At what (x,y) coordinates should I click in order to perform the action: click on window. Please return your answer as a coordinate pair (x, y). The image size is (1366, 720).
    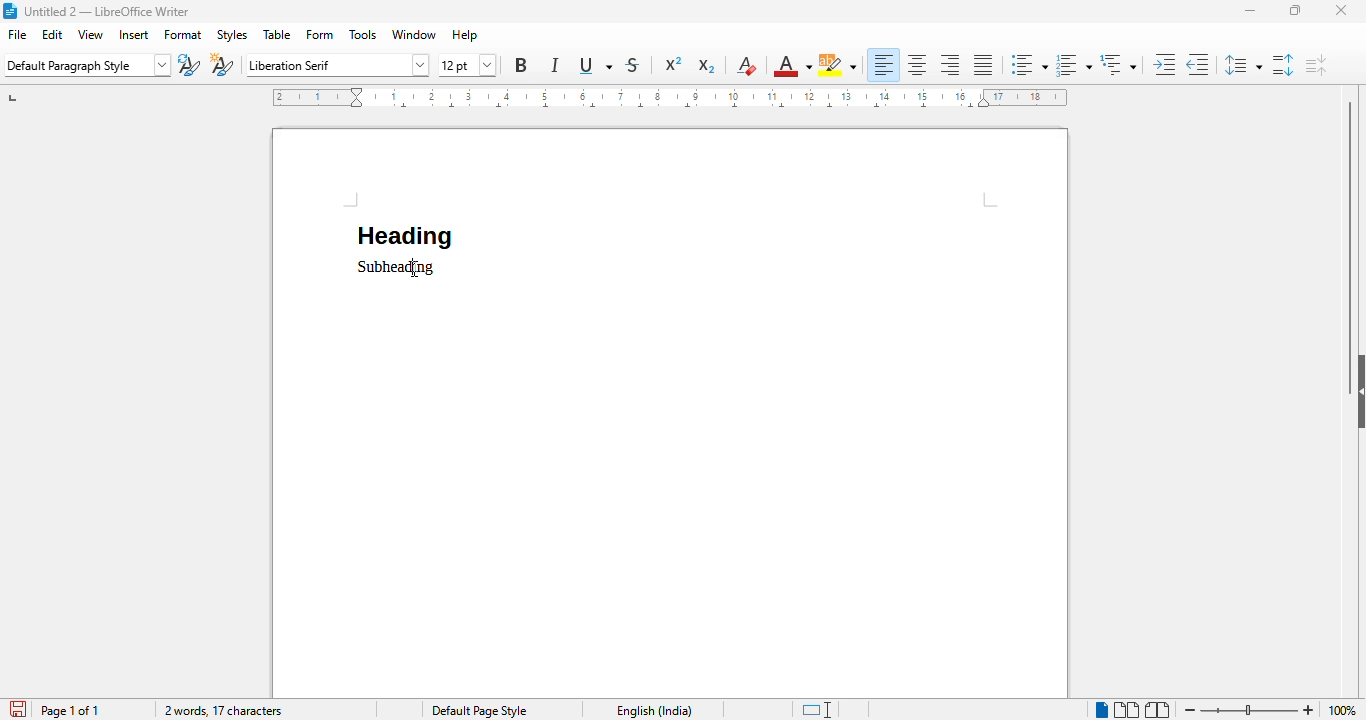
    Looking at the image, I should click on (415, 34).